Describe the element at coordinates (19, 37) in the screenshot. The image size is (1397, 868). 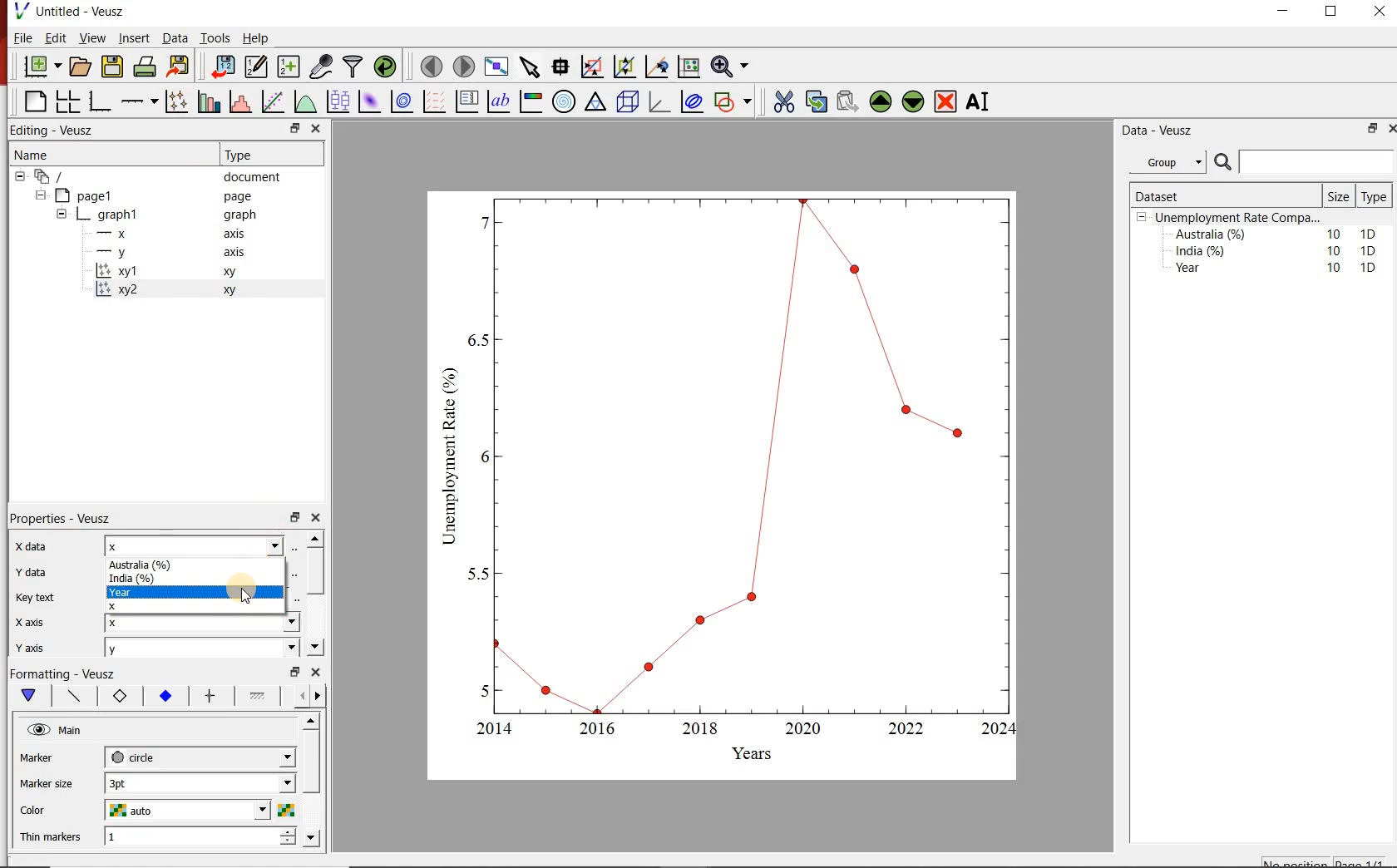
I see `| File` at that location.